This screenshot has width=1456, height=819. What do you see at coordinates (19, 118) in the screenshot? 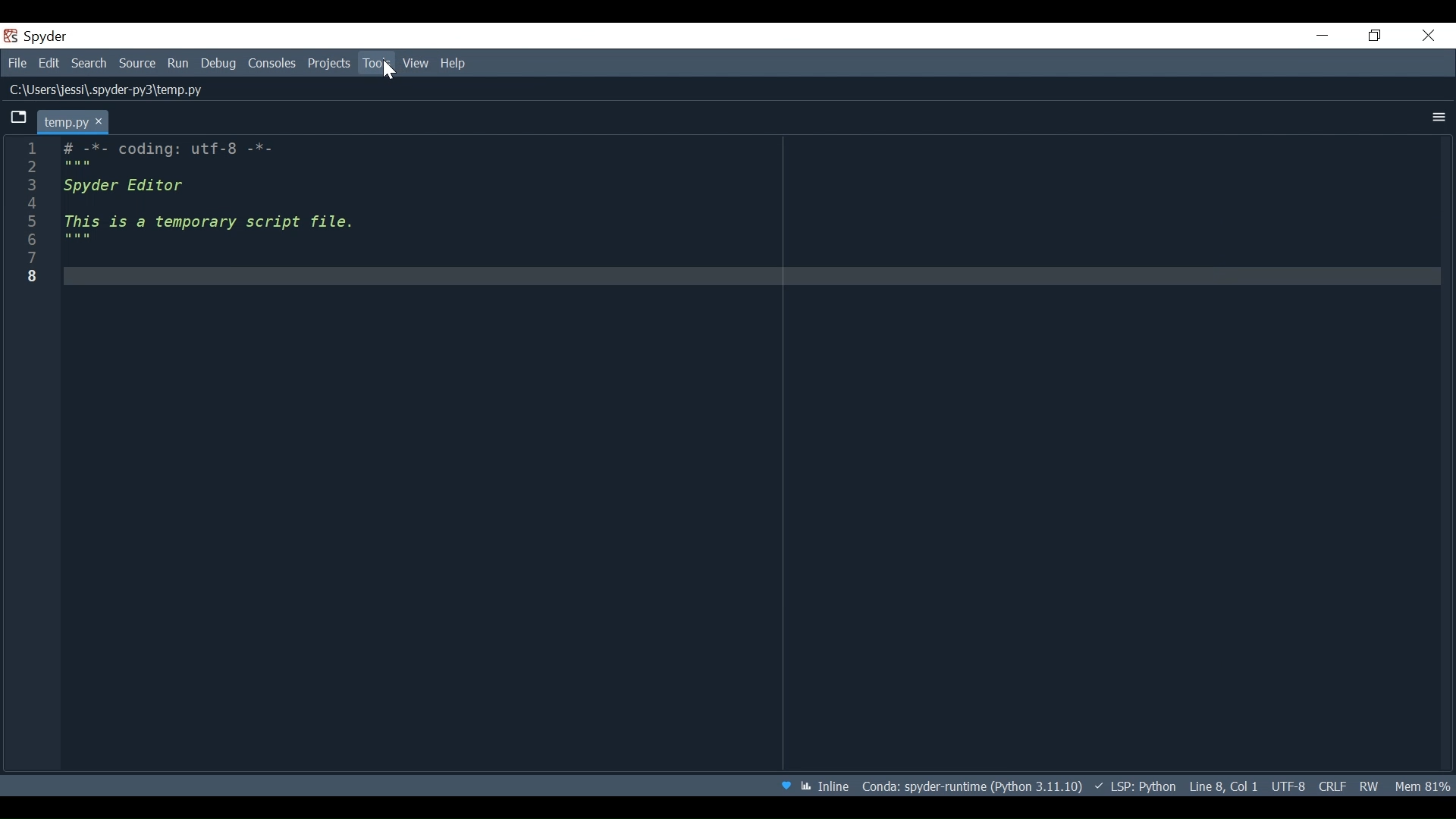
I see `Browse Tab` at bounding box center [19, 118].